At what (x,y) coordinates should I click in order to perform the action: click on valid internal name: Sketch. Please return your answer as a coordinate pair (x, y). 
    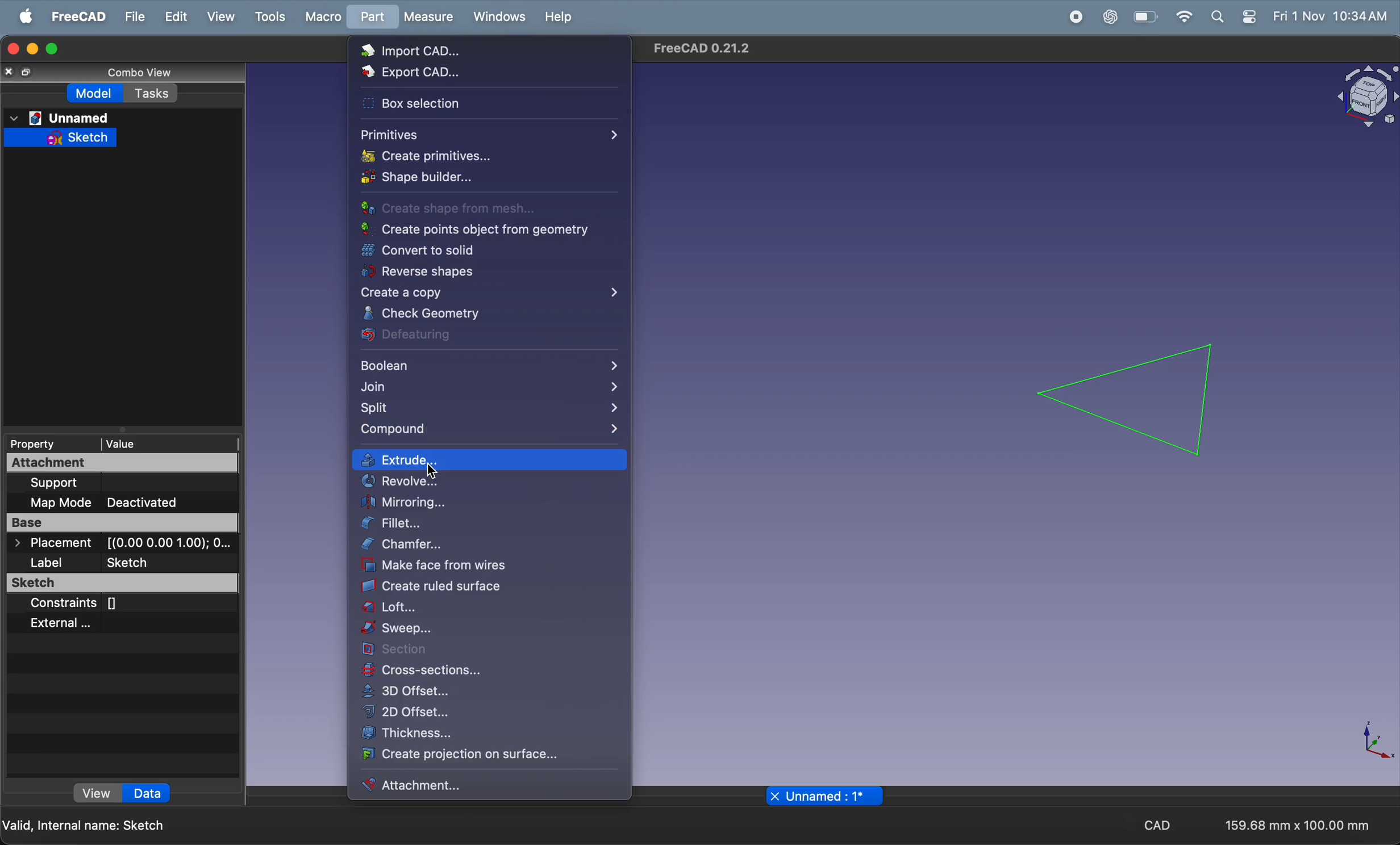
    Looking at the image, I should click on (86, 825).